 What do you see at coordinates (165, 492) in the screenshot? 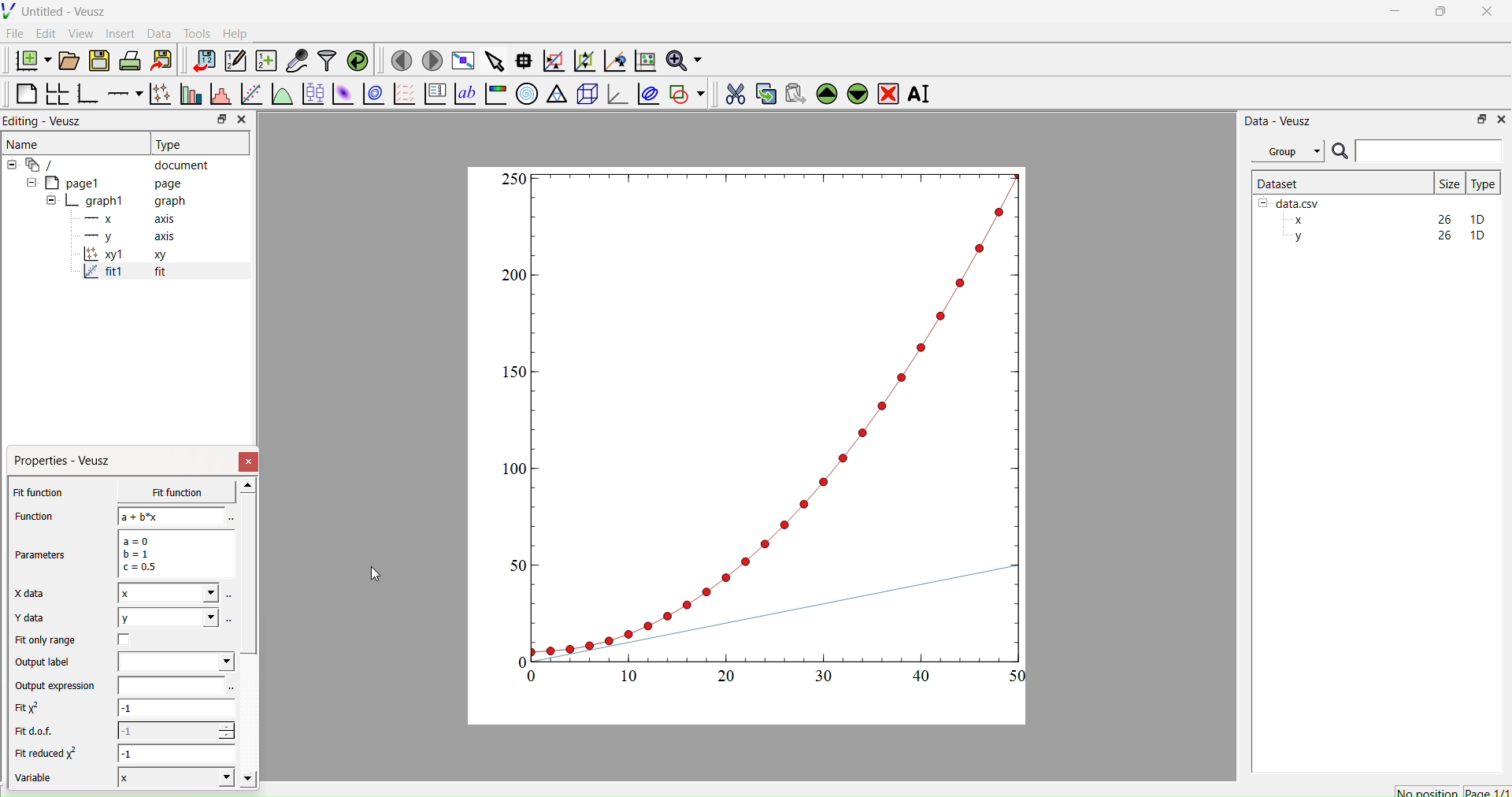
I see `x` at bounding box center [165, 492].